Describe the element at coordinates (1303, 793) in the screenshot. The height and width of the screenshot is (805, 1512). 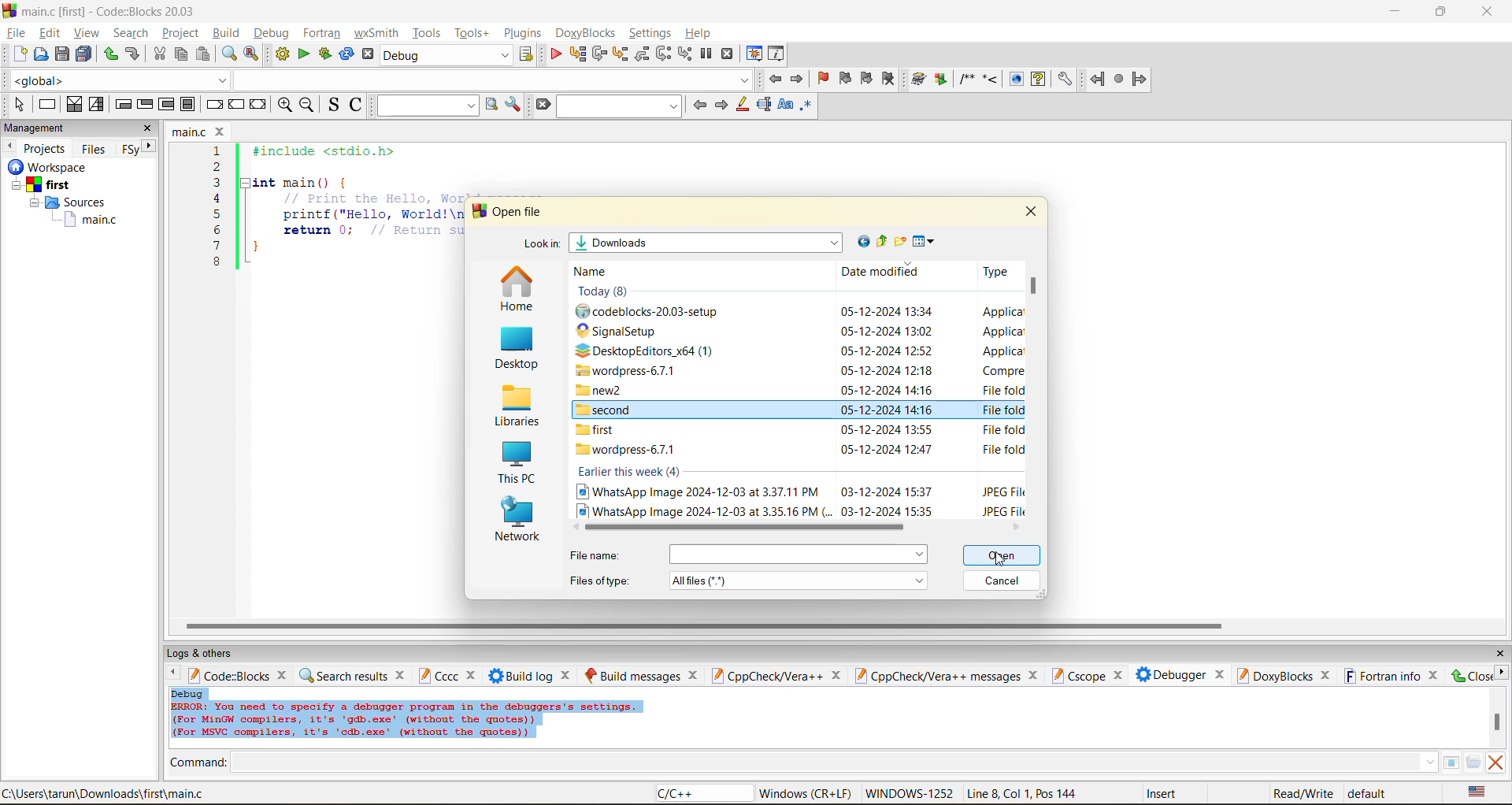
I see `read/write` at that location.